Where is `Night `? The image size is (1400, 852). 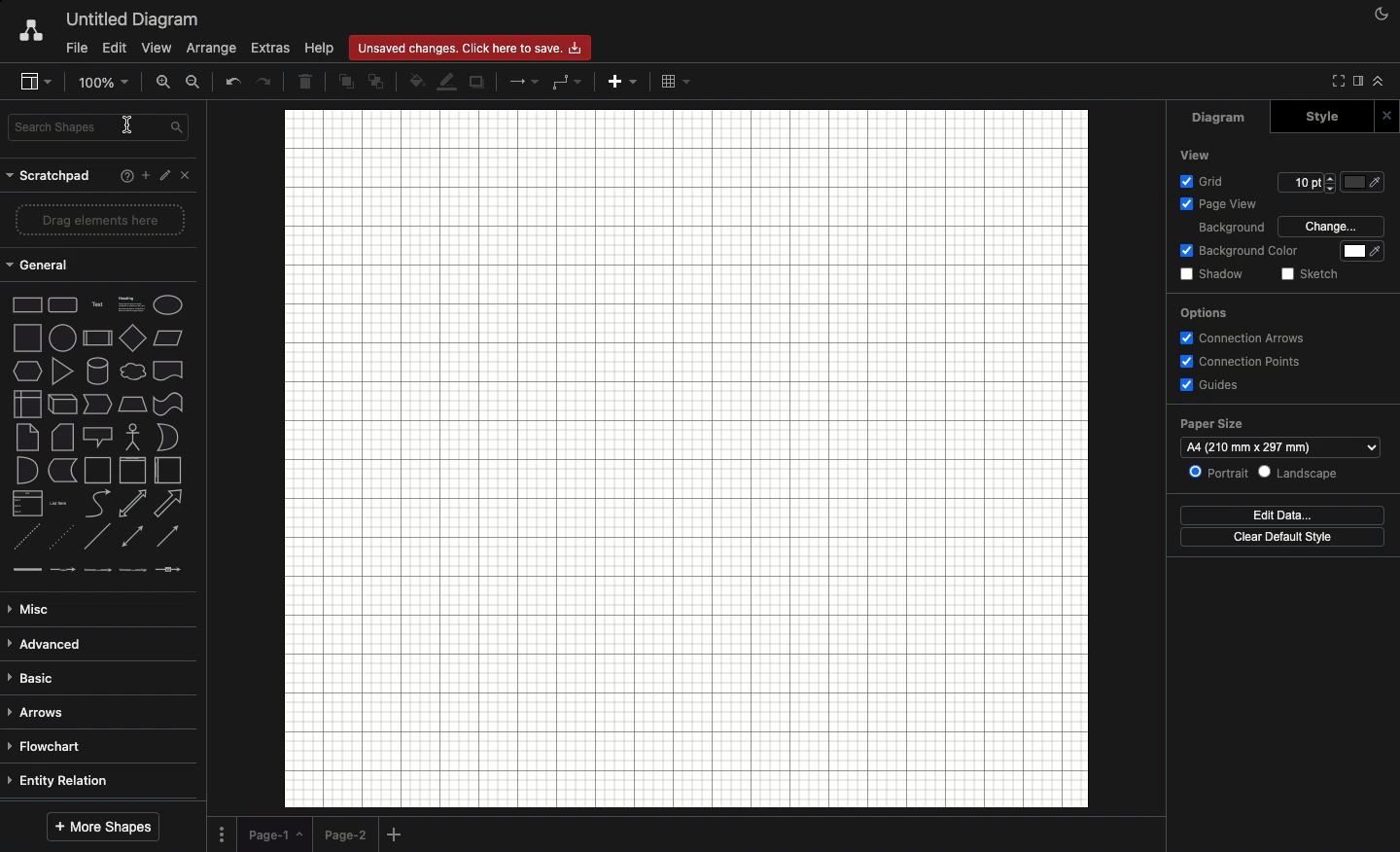
Night  is located at coordinates (1382, 13).